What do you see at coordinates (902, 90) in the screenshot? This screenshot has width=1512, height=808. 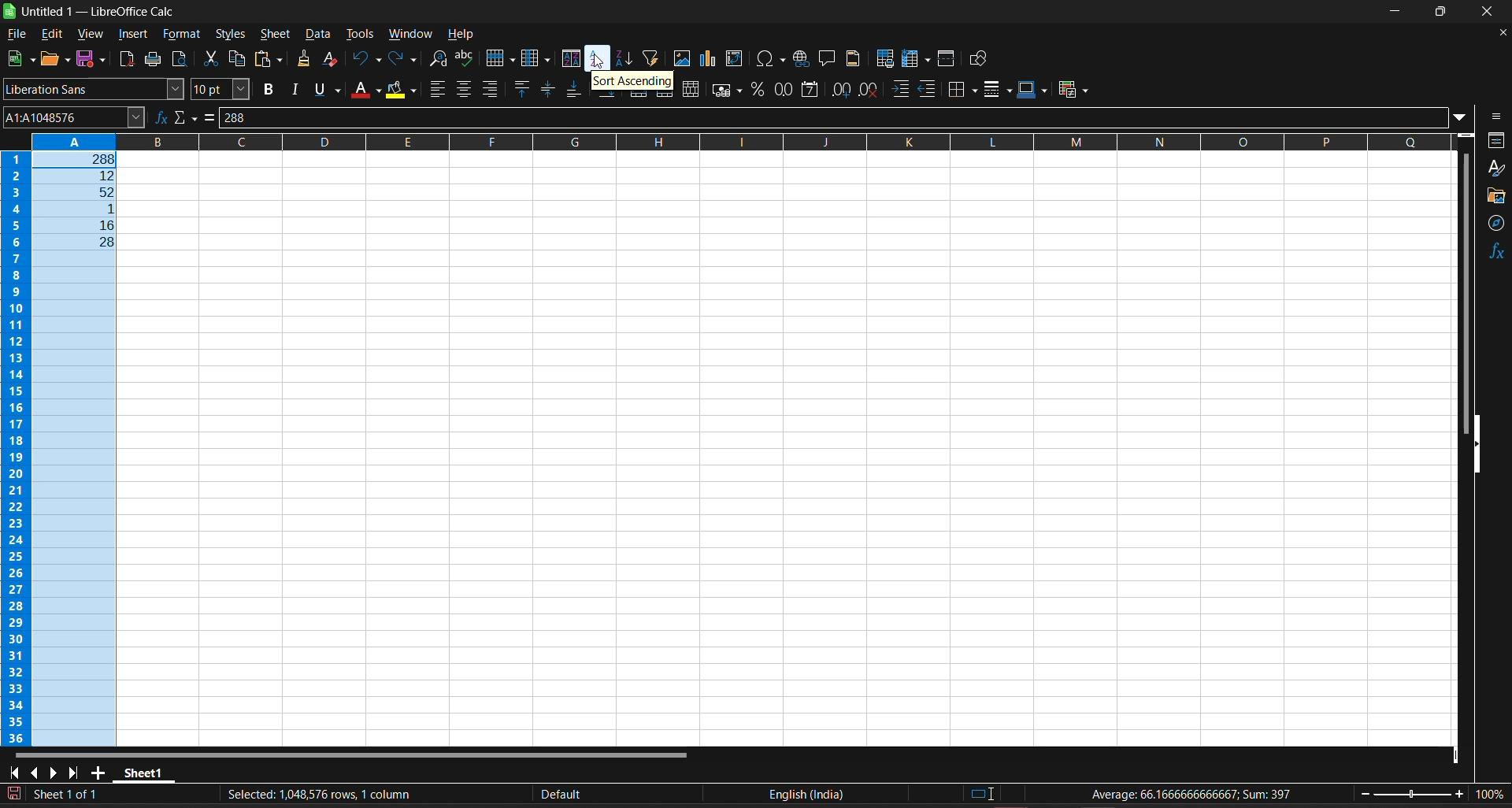 I see `increase indent` at bounding box center [902, 90].